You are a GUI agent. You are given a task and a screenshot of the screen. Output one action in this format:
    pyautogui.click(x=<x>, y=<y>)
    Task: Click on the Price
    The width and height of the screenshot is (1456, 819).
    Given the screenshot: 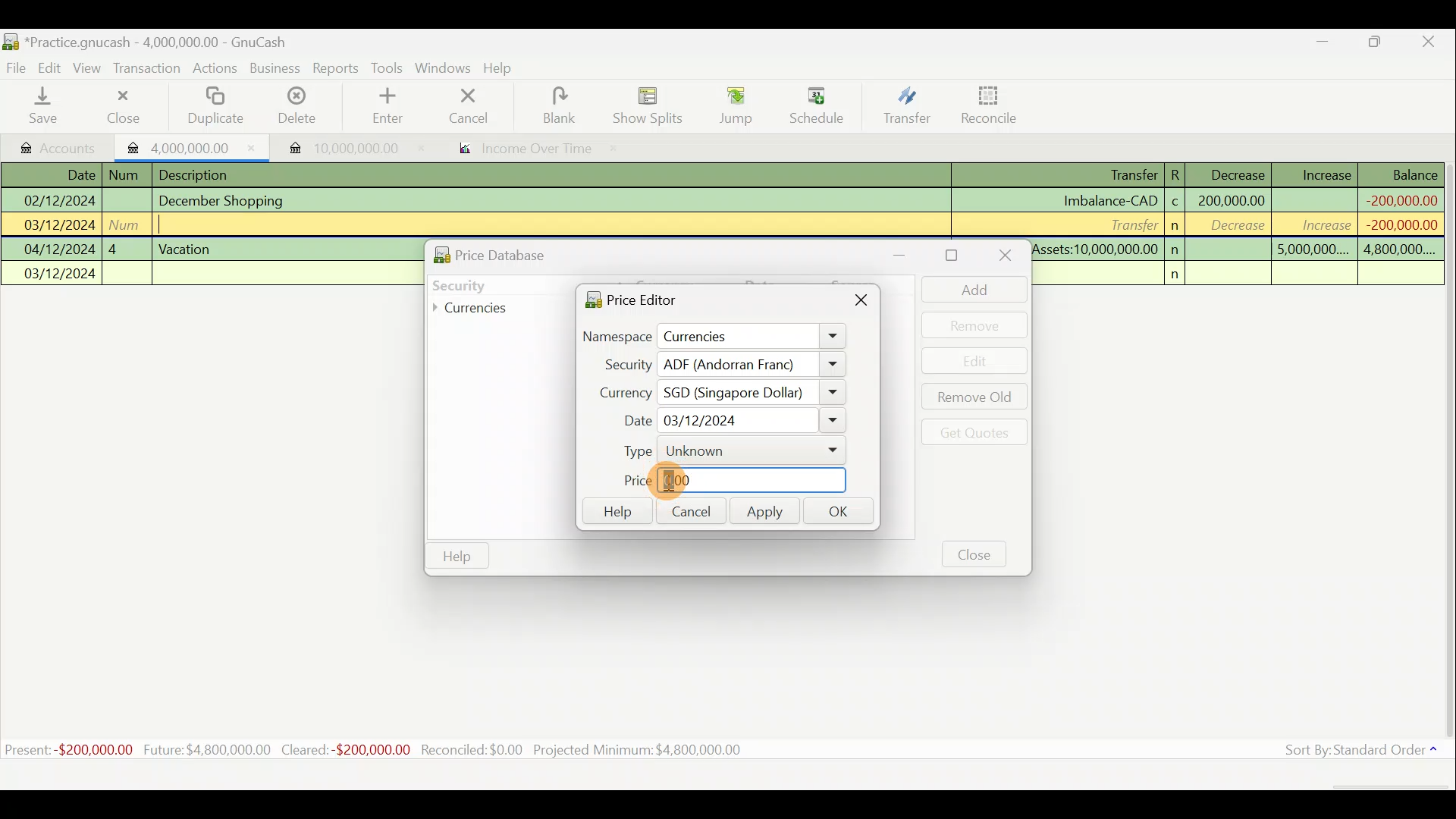 What is the action you would take?
    pyautogui.click(x=730, y=481)
    